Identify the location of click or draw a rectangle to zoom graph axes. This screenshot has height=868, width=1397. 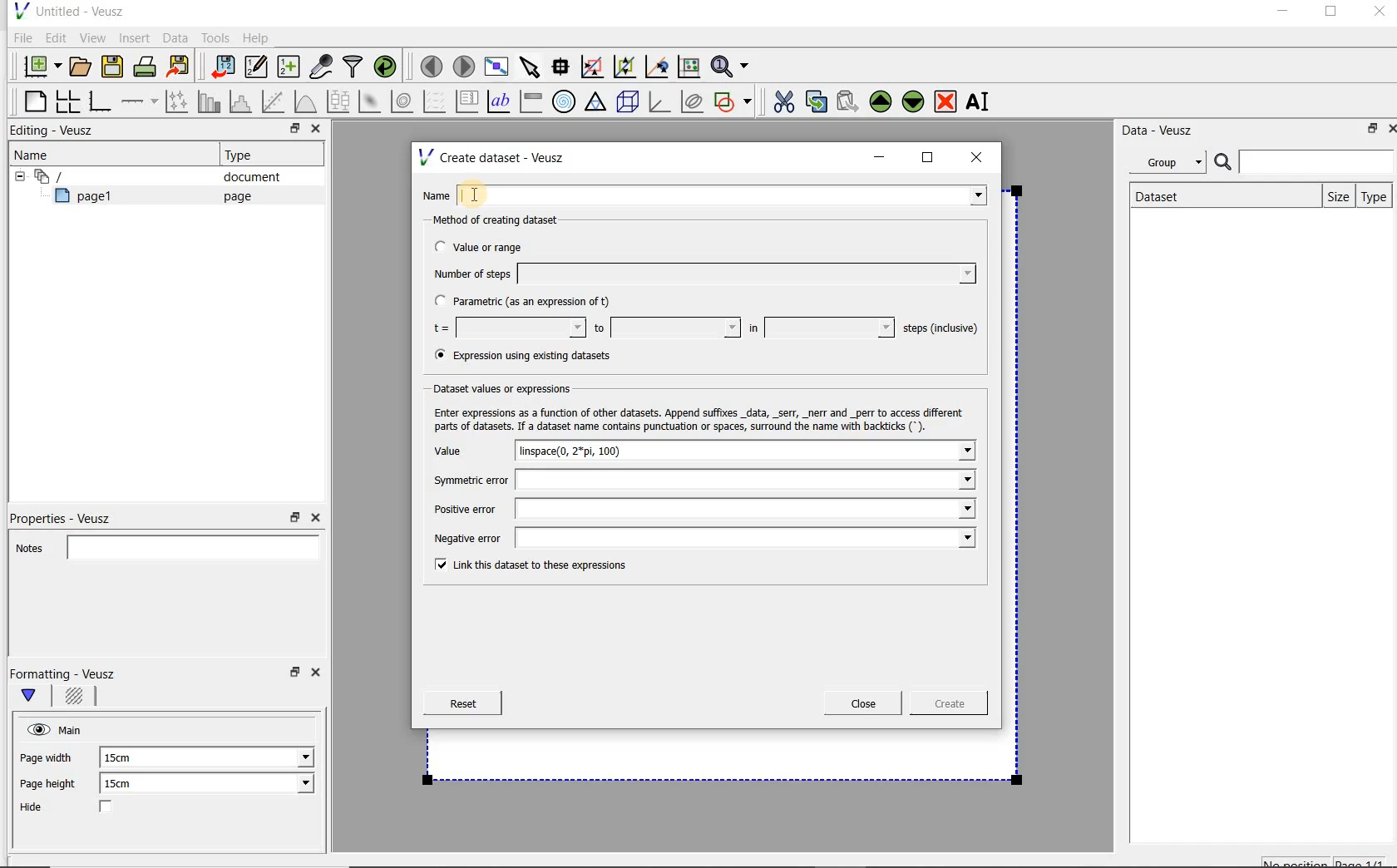
(595, 67).